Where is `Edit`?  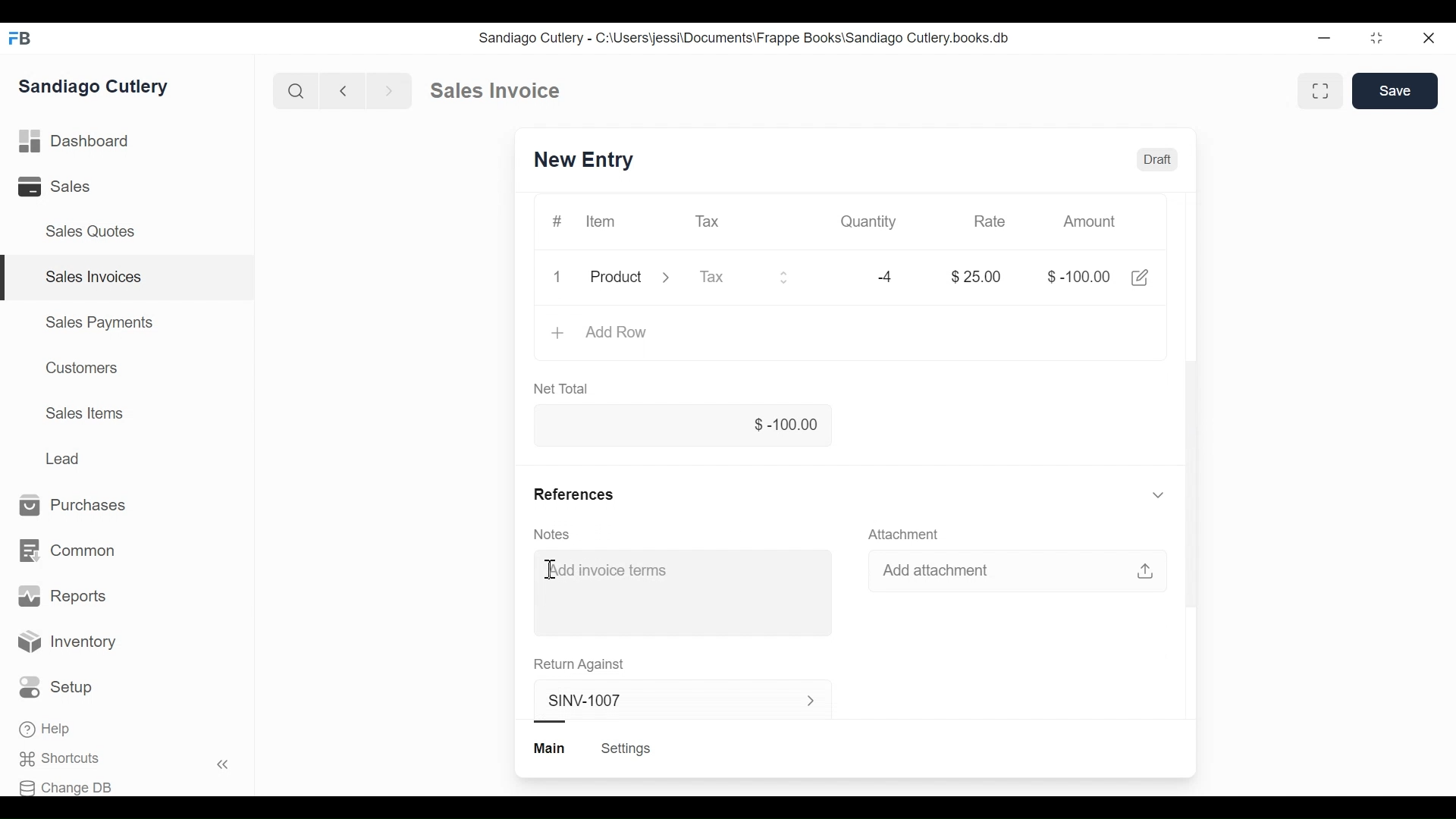 Edit is located at coordinates (1139, 278).